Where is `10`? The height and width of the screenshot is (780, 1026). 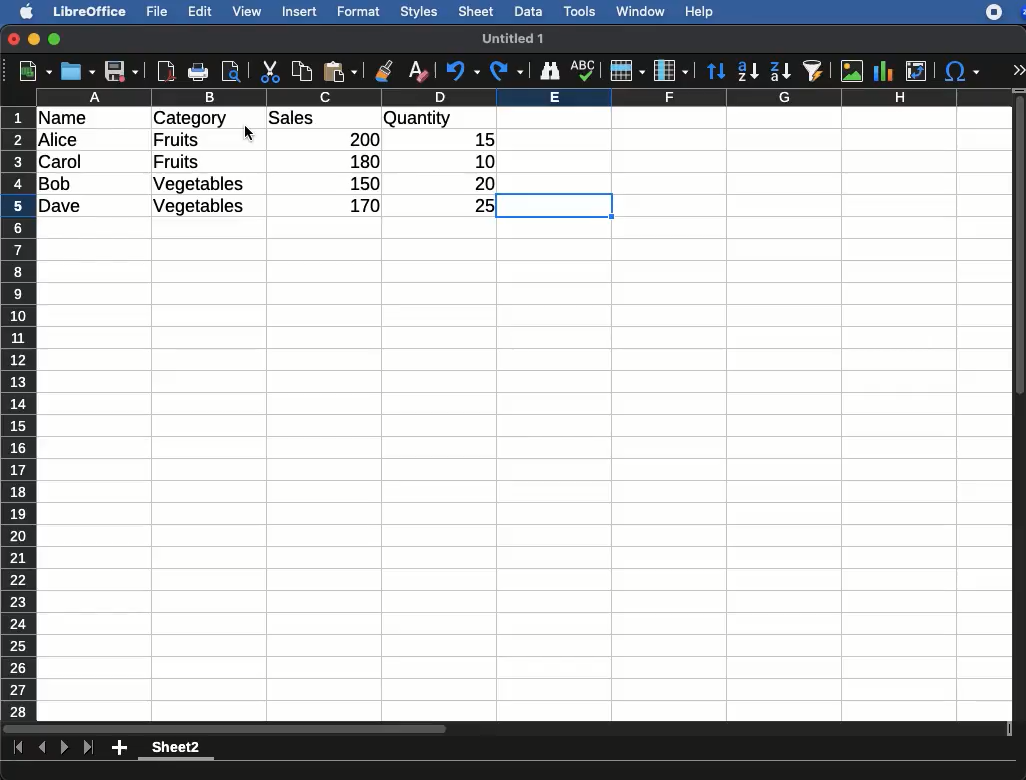 10 is located at coordinates (479, 160).